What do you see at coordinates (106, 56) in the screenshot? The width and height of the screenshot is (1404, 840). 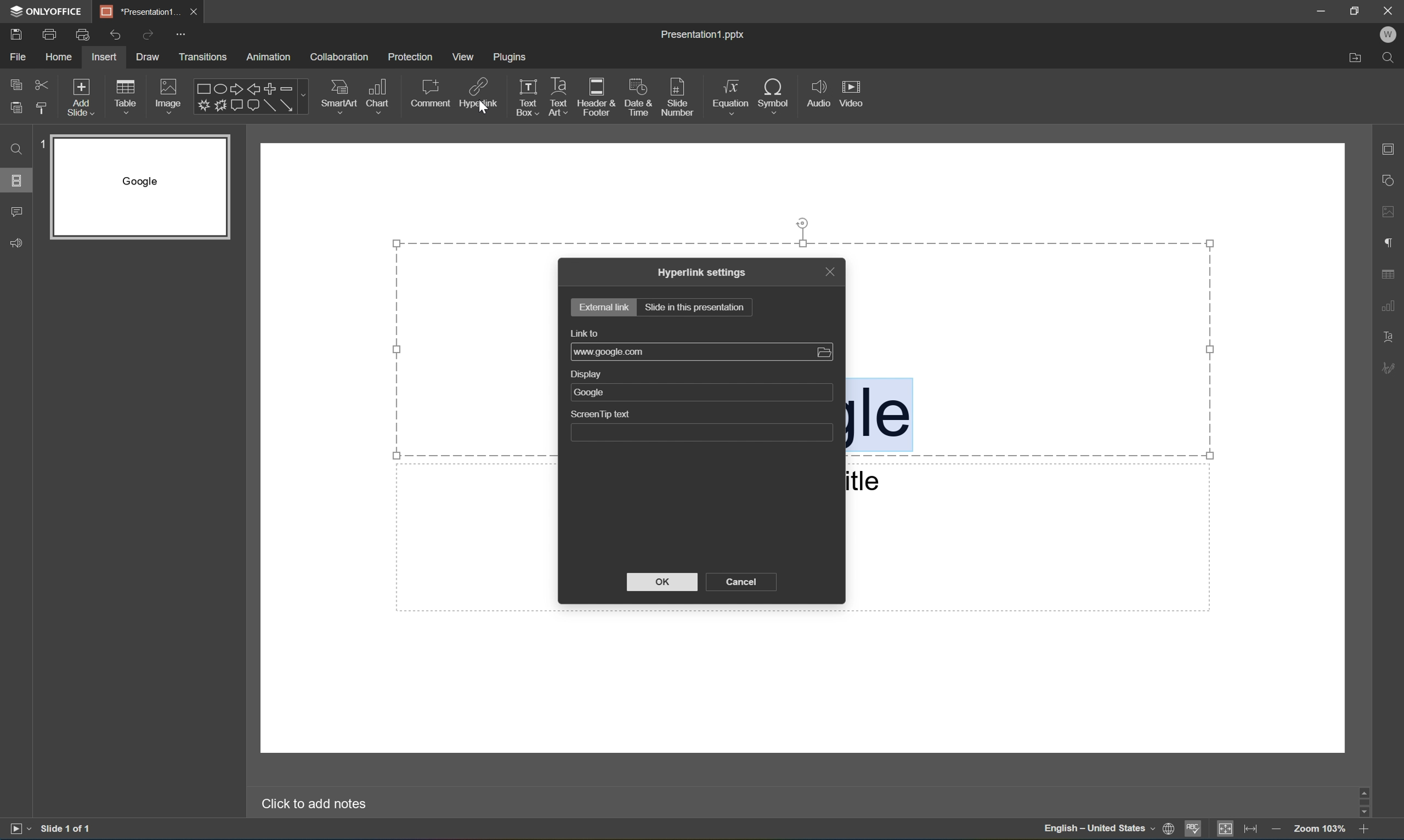 I see `Insert` at bounding box center [106, 56].